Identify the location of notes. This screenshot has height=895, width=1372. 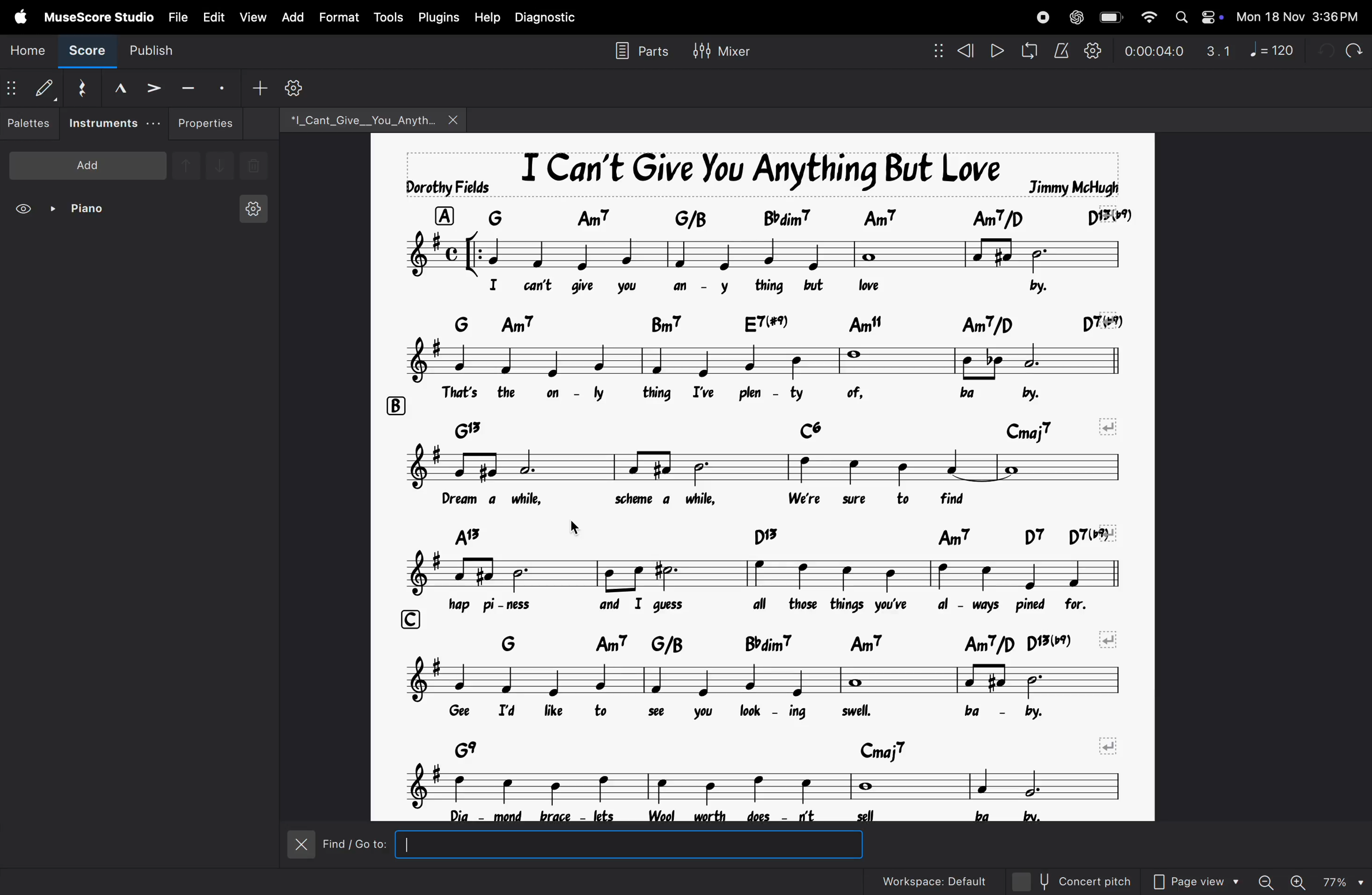
(772, 466).